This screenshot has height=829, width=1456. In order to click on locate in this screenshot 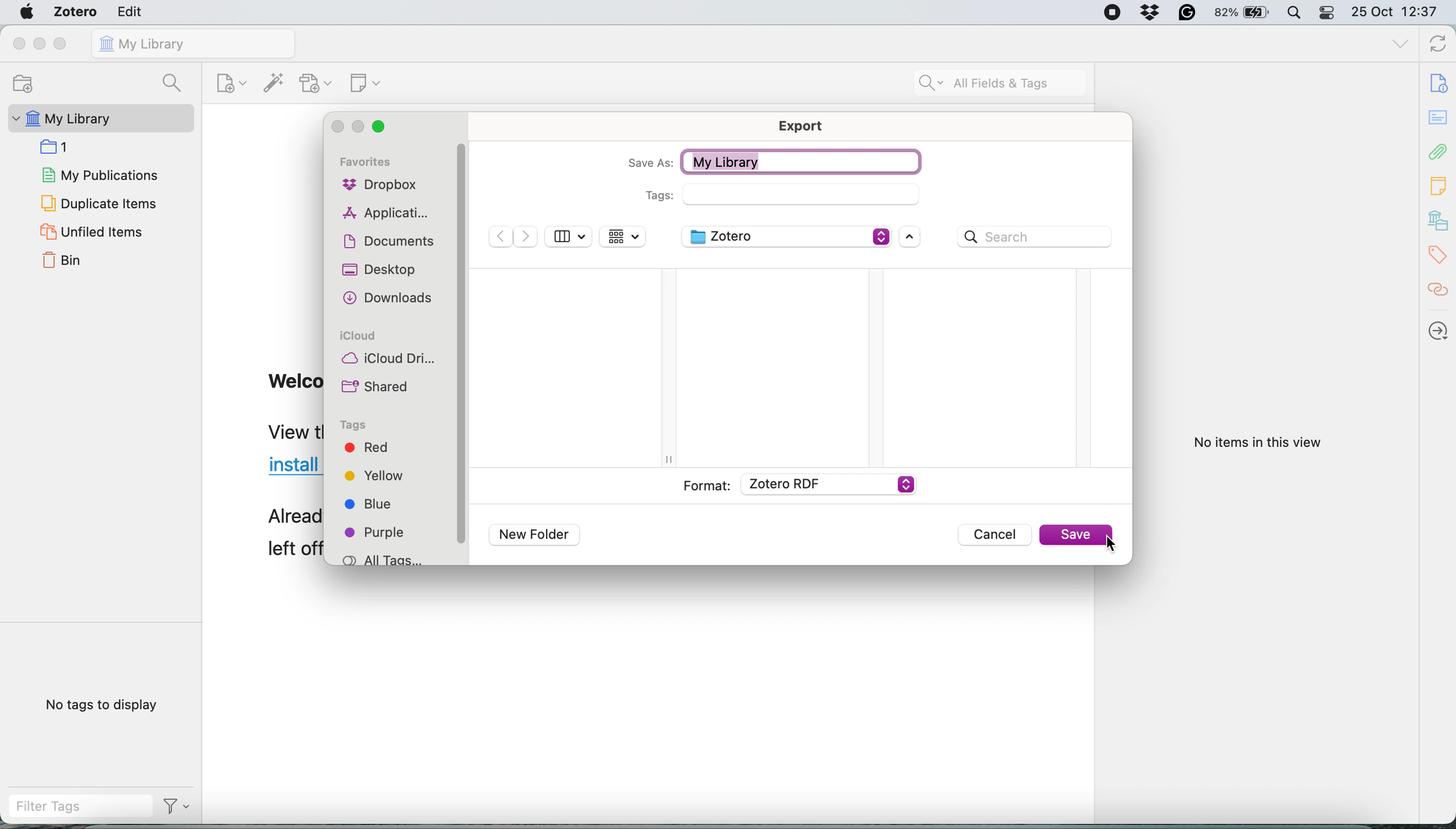, I will do `click(1440, 333)`.